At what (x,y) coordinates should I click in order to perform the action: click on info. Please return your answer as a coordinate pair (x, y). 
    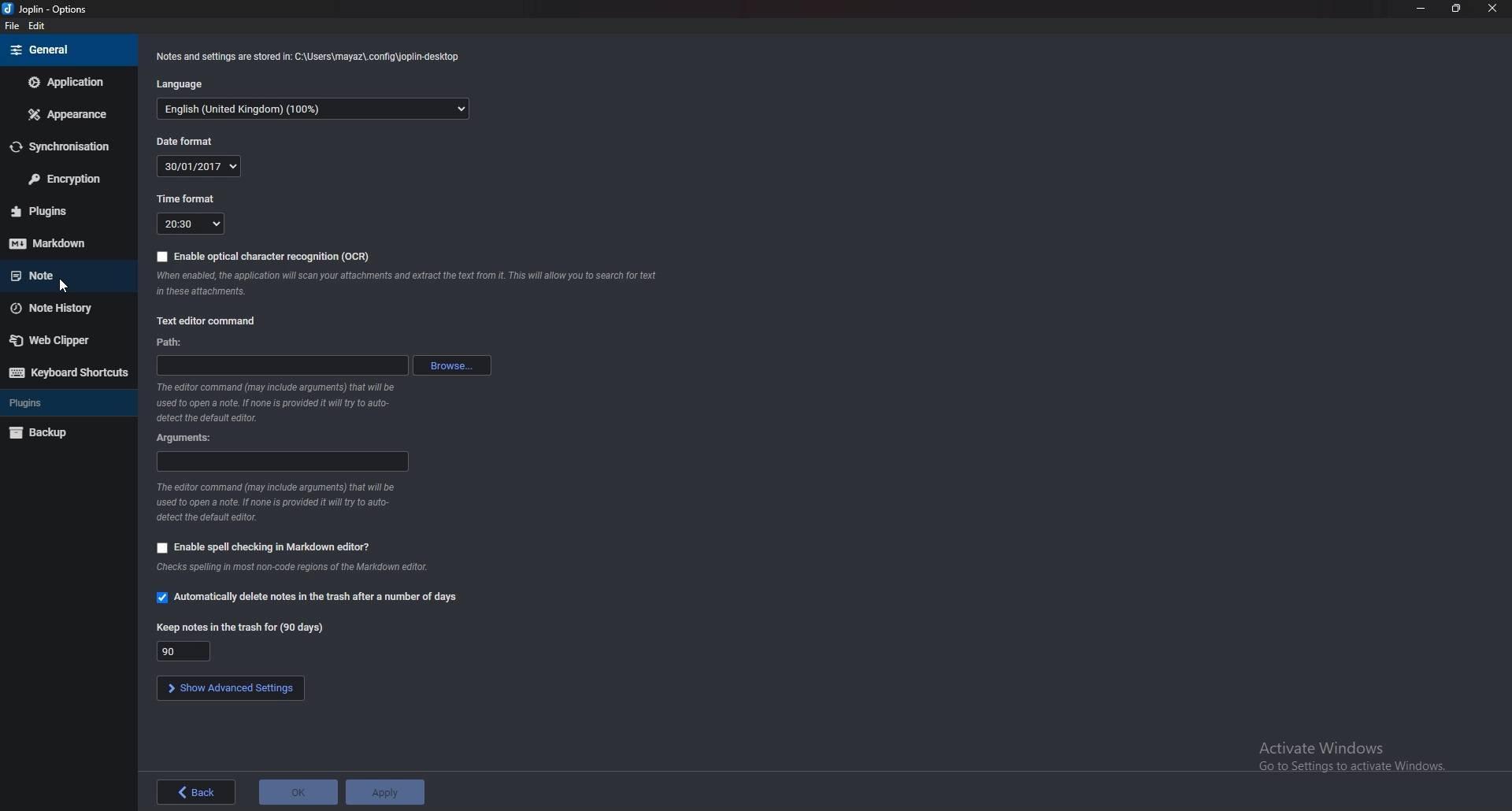
    Looking at the image, I should click on (307, 54).